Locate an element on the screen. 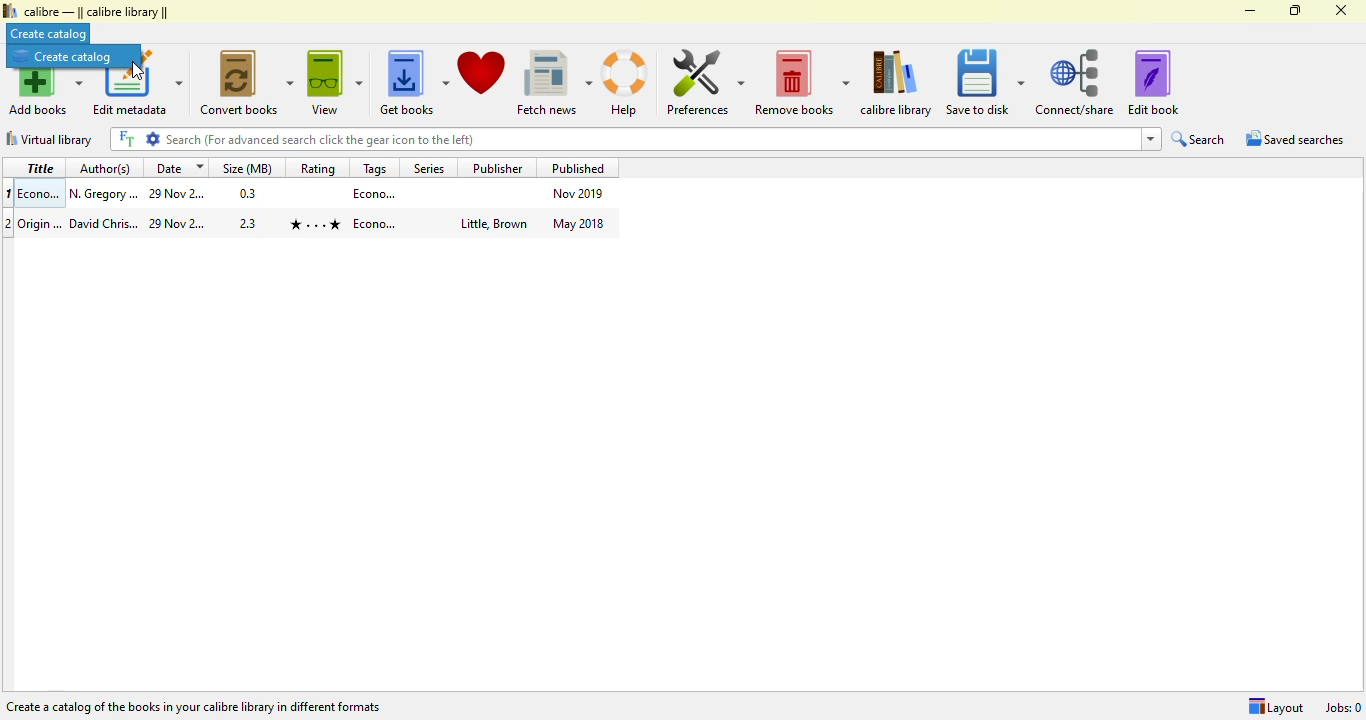 Image resolution: width=1366 pixels, height=720 pixels. book 1 is located at coordinates (312, 193).